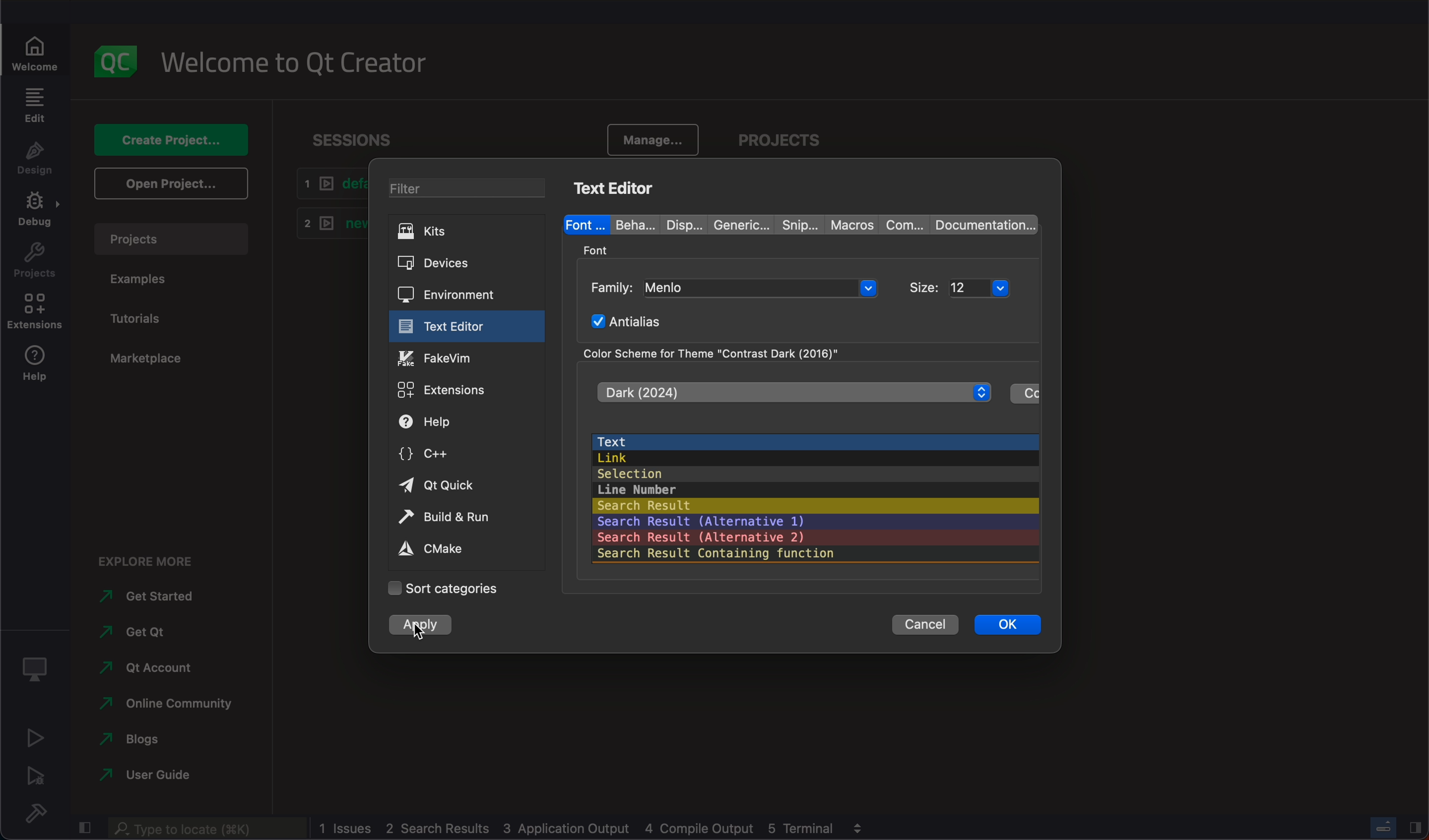 The width and height of the screenshot is (1429, 840). Describe the element at coordinates (326, 226) in the screenshot. I see `new1` at that location.